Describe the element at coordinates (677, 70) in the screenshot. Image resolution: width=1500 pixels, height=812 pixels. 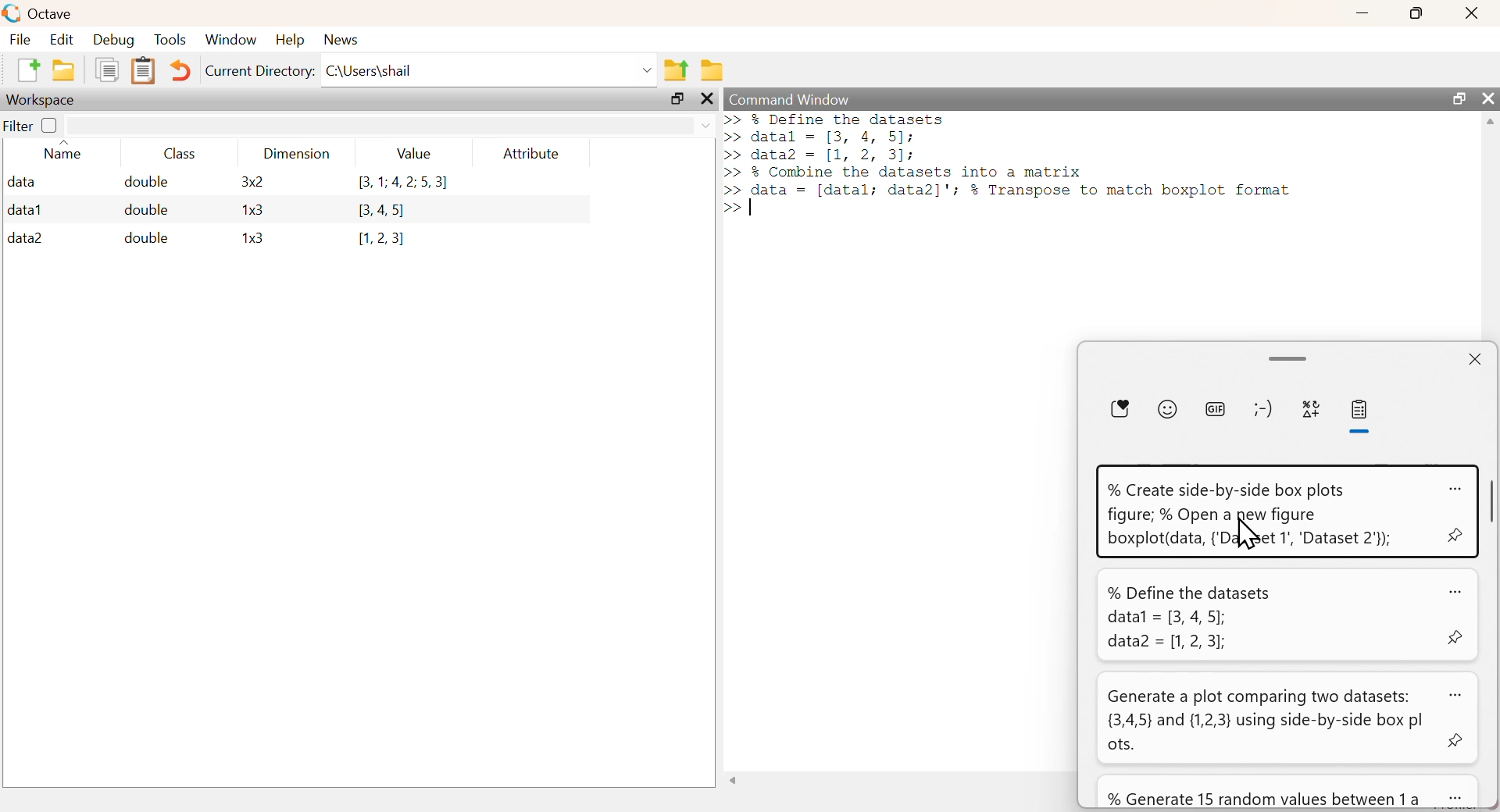
I see `Previous Folder` at that location.